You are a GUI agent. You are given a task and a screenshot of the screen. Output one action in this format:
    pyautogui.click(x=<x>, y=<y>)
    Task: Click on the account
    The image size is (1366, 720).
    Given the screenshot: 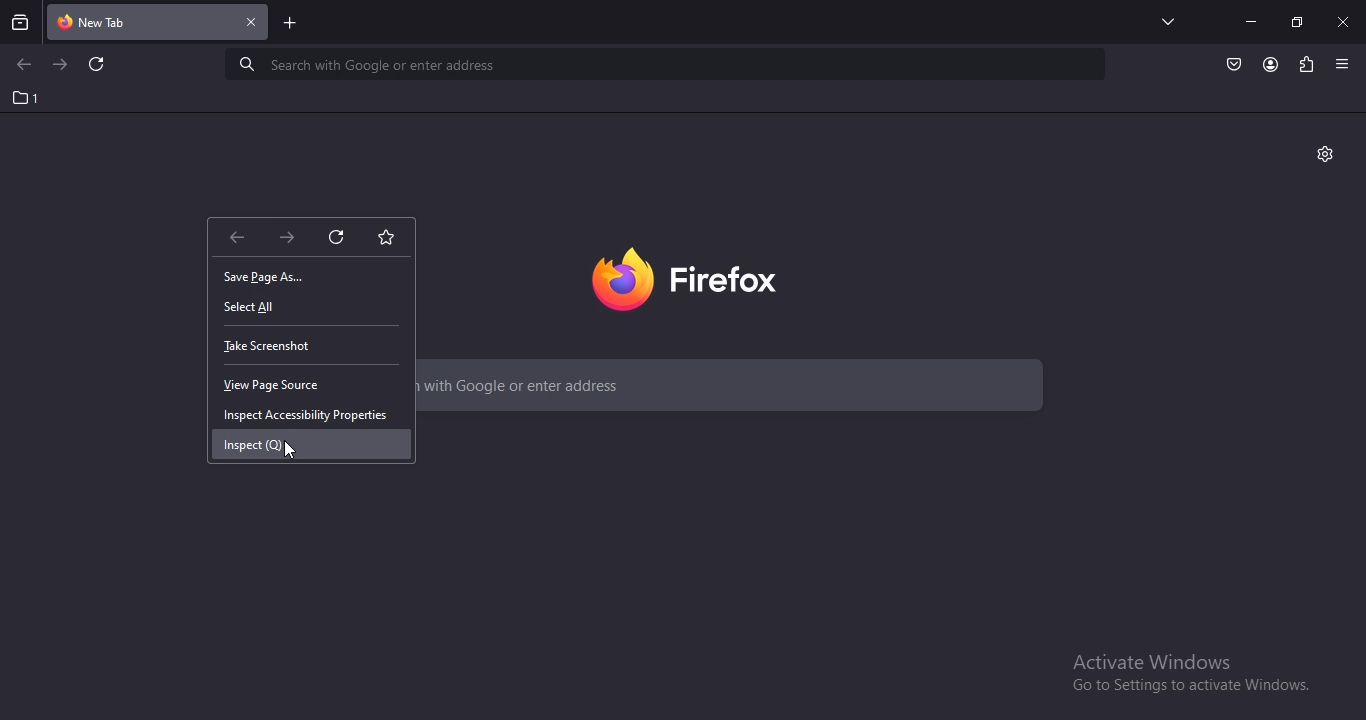 What is the action you would take?
    pyautogui.click(x=1271, y=65)
    